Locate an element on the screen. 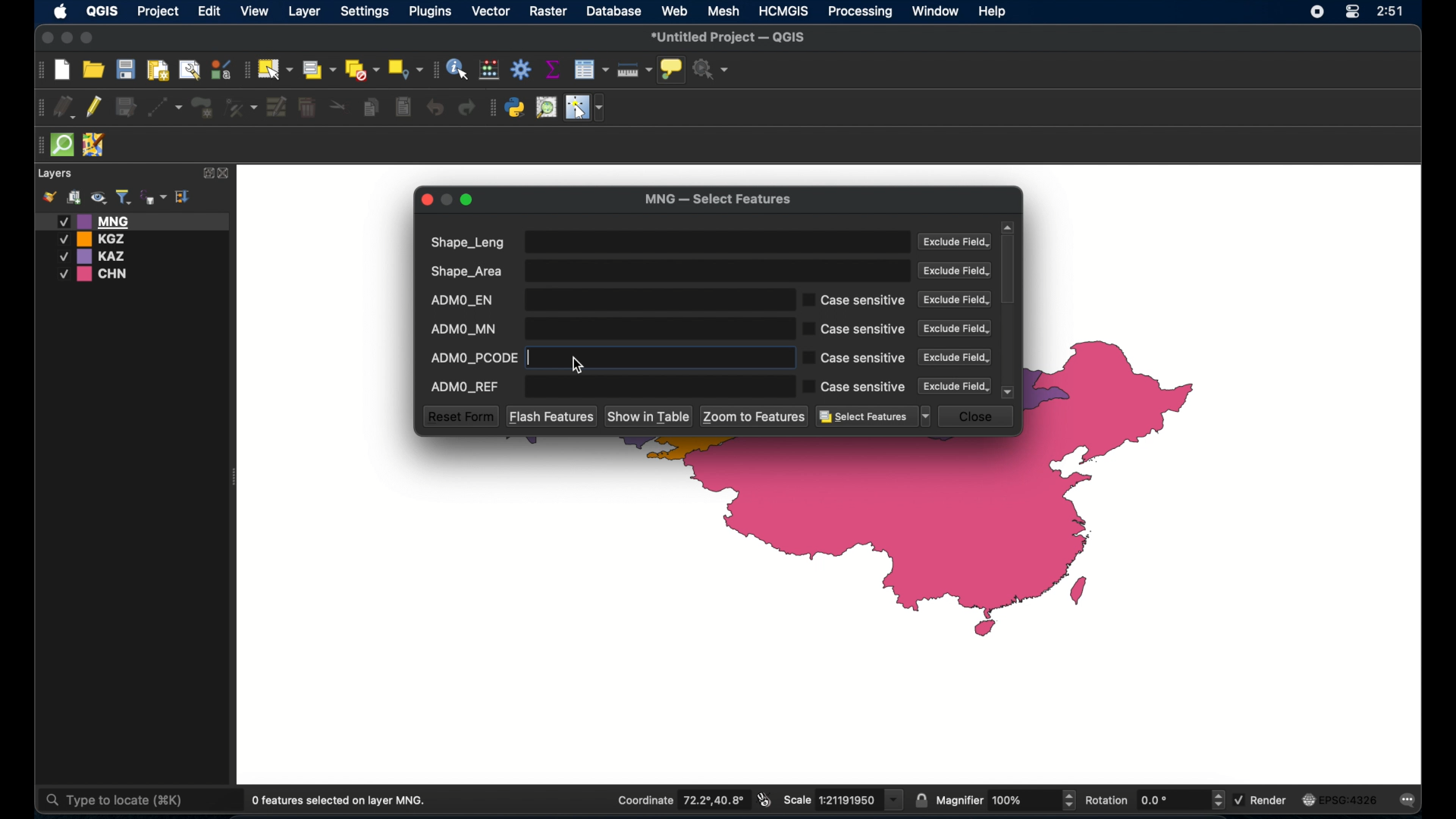 This screenshot has width=1456, height=819. CHN is located at coordinates (96, 275).